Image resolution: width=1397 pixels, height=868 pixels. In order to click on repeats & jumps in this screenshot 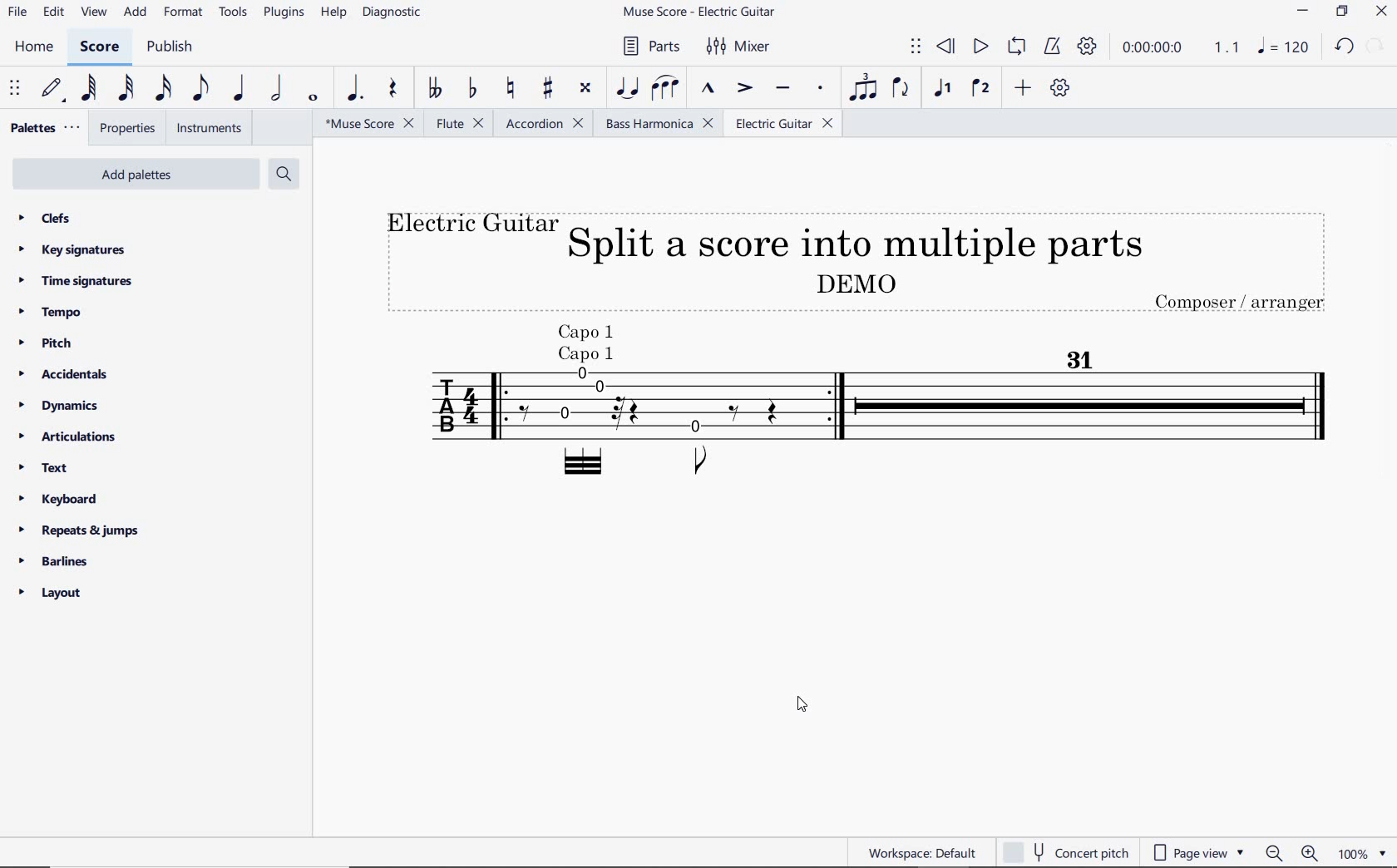, I will do `click(82, 531)`.